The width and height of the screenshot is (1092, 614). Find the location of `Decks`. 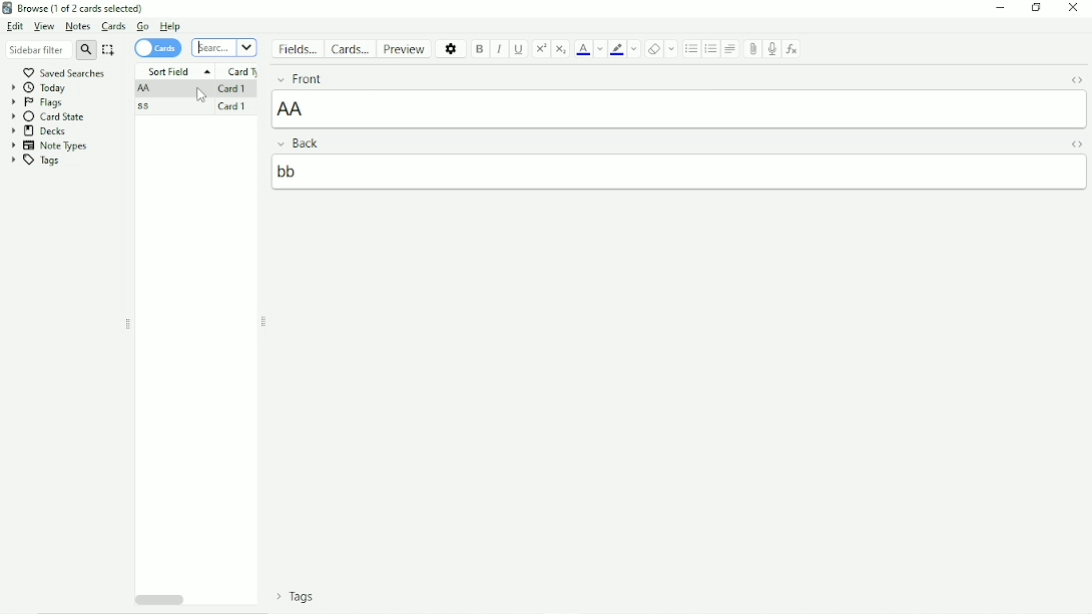

Decks is located at coordinates (41, 131).